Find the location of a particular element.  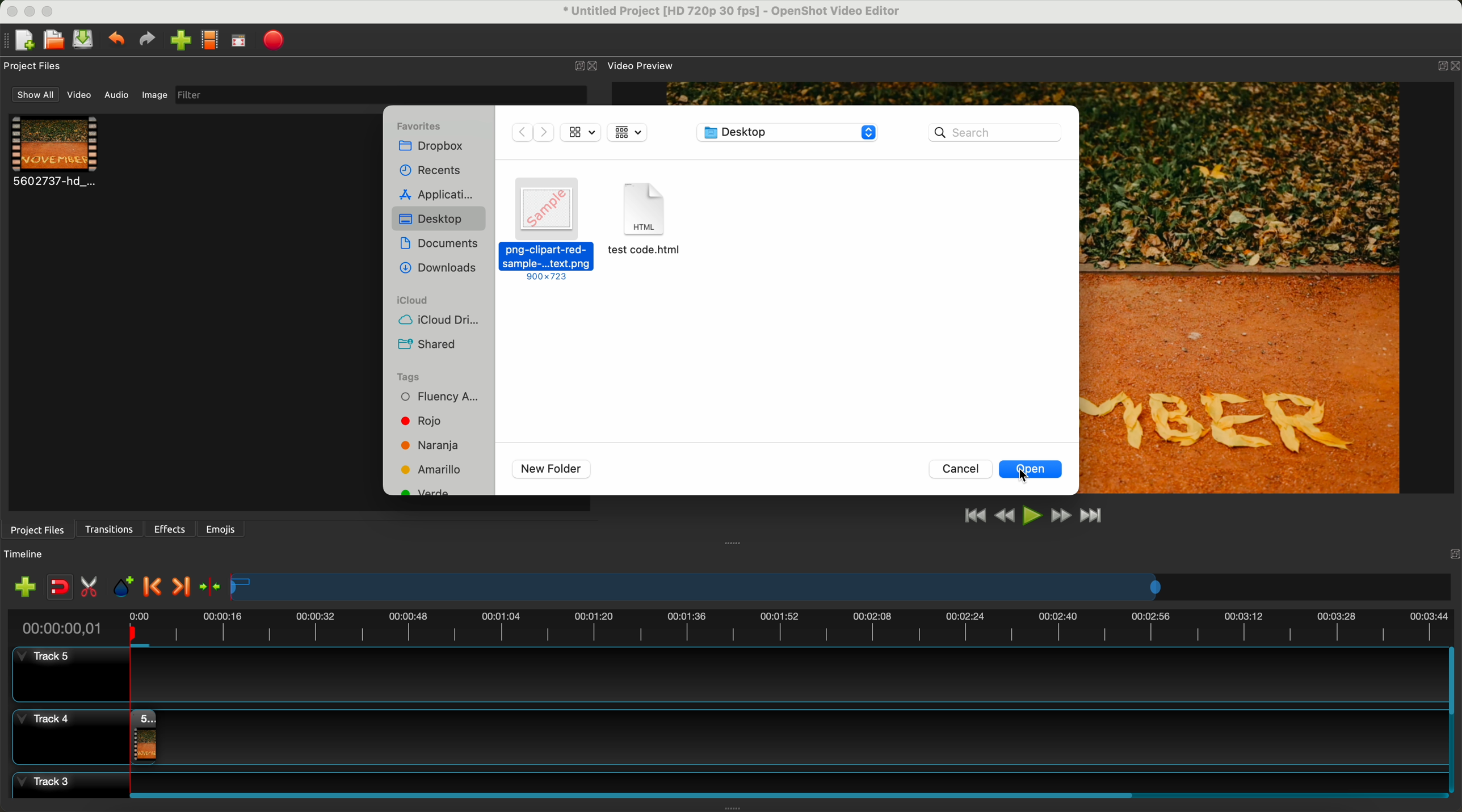

timeline is located at coordinates (30, 554).